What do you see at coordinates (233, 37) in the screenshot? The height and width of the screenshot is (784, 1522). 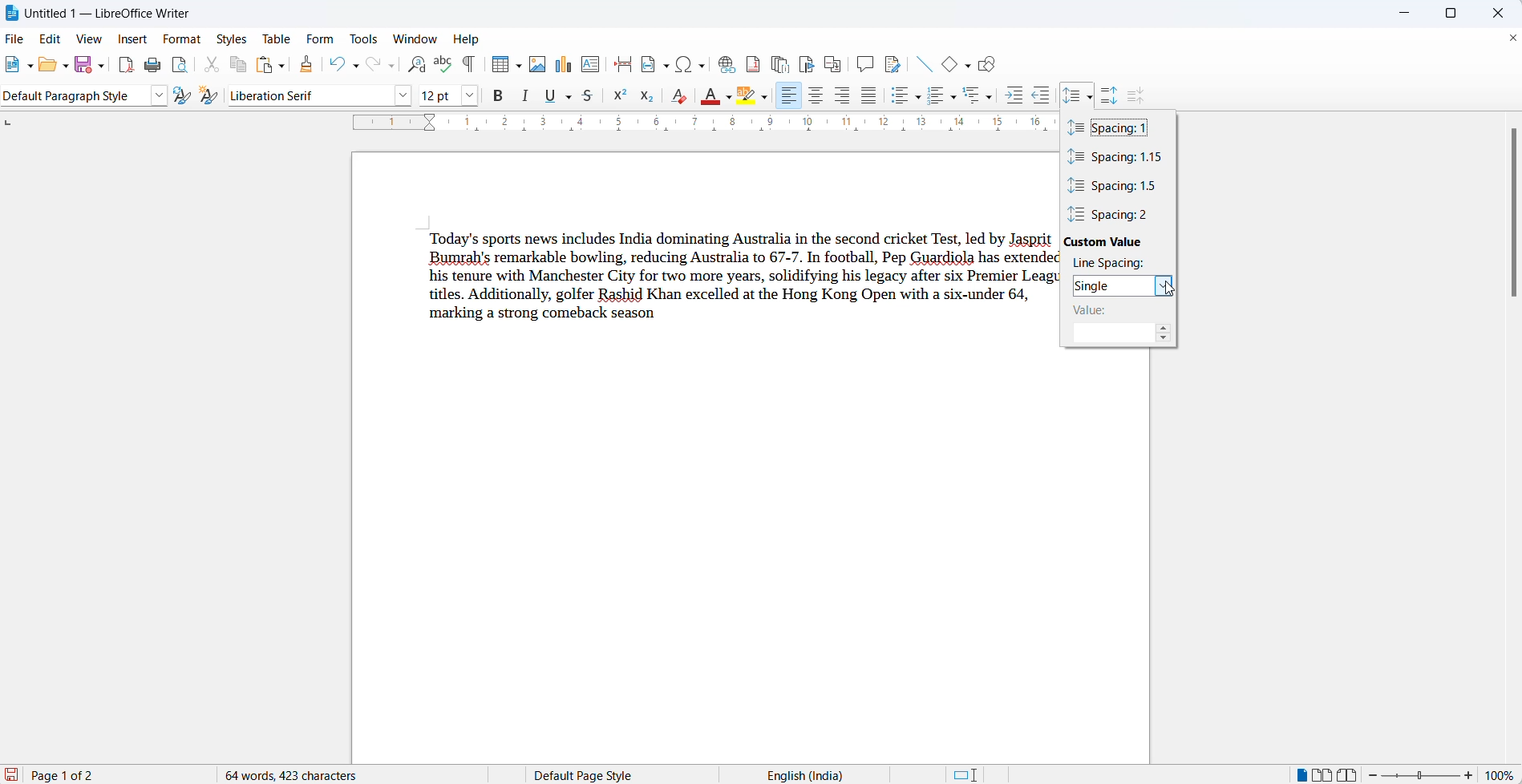 I see `styles` at bounding box center [233, 37].